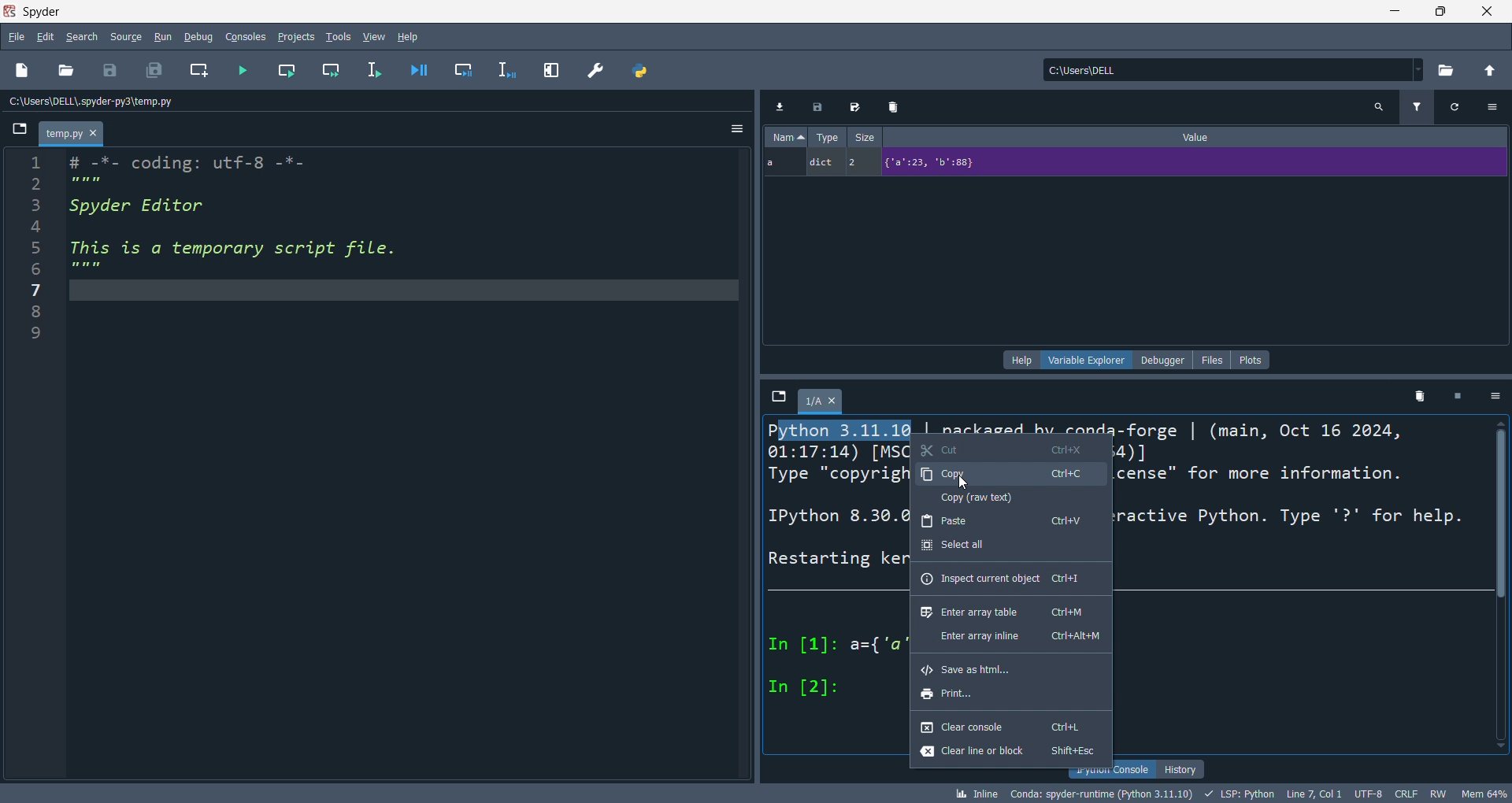 This screenshot has height=803, width=1512. I want to click on c:\users\dell\.spyder-py3\temp.py, so click(99, 101).